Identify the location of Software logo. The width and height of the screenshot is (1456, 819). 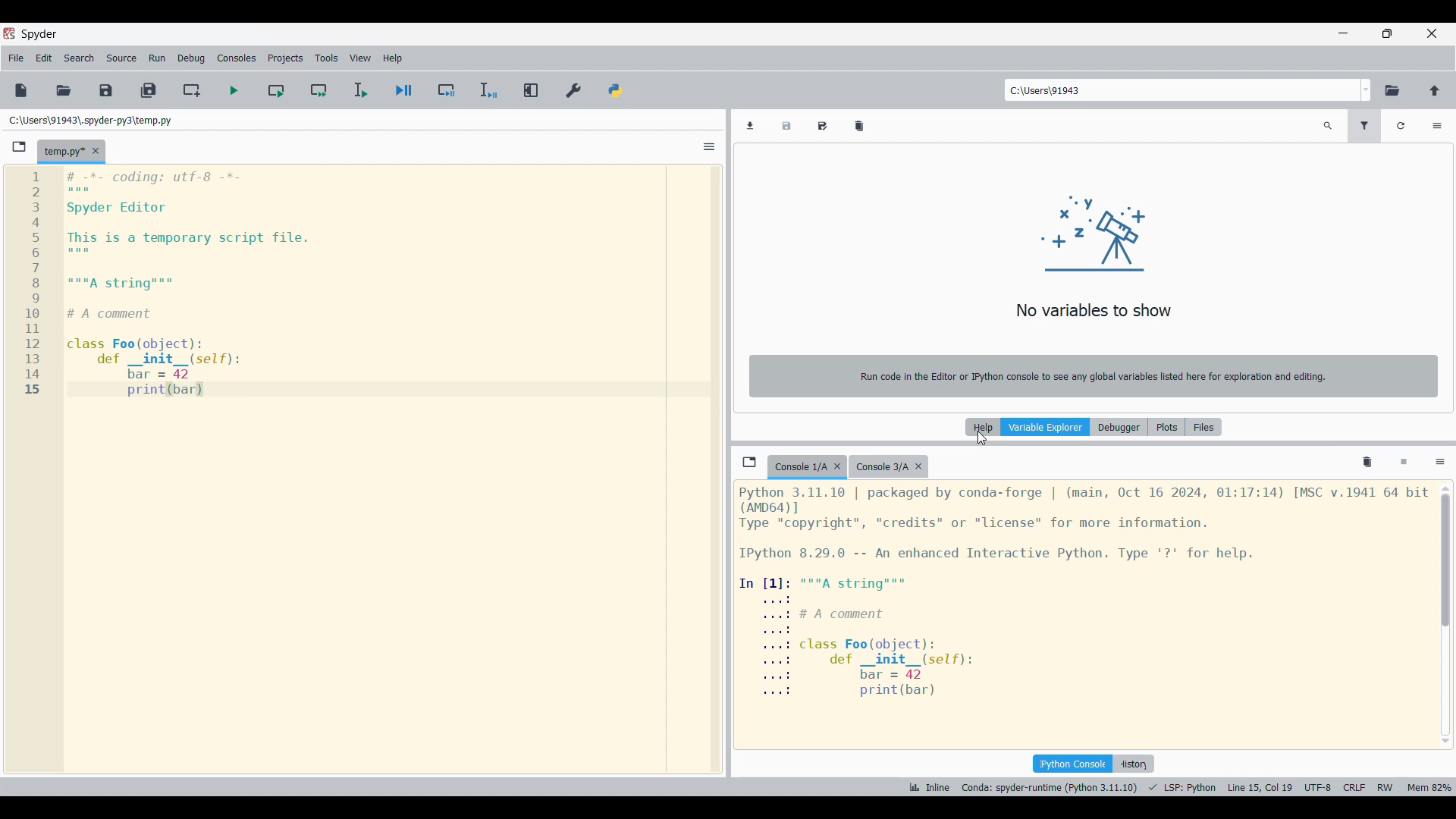
(40, 34).